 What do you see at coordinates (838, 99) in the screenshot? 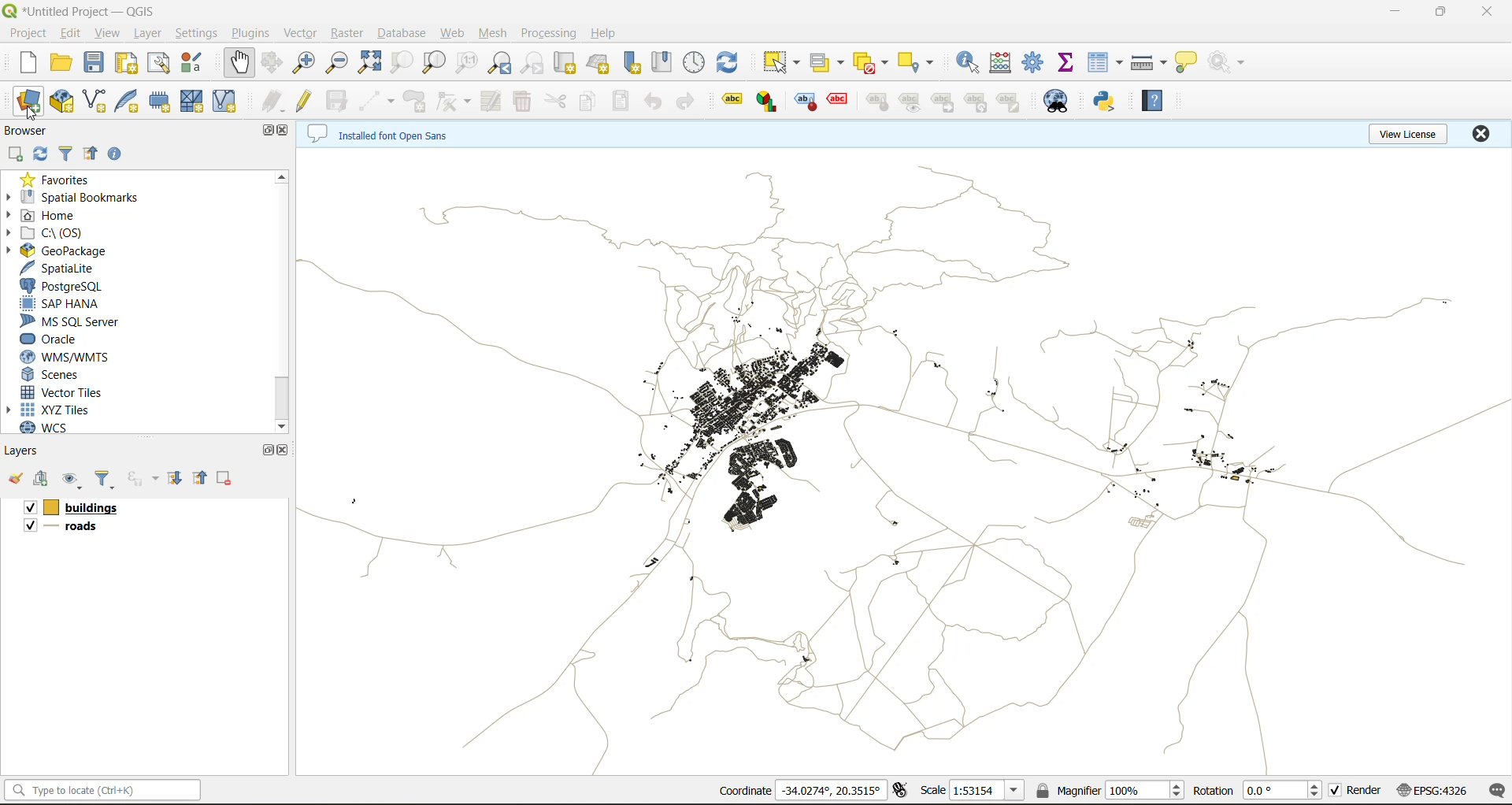
I see `label tool` at bounding box center [838, 99].